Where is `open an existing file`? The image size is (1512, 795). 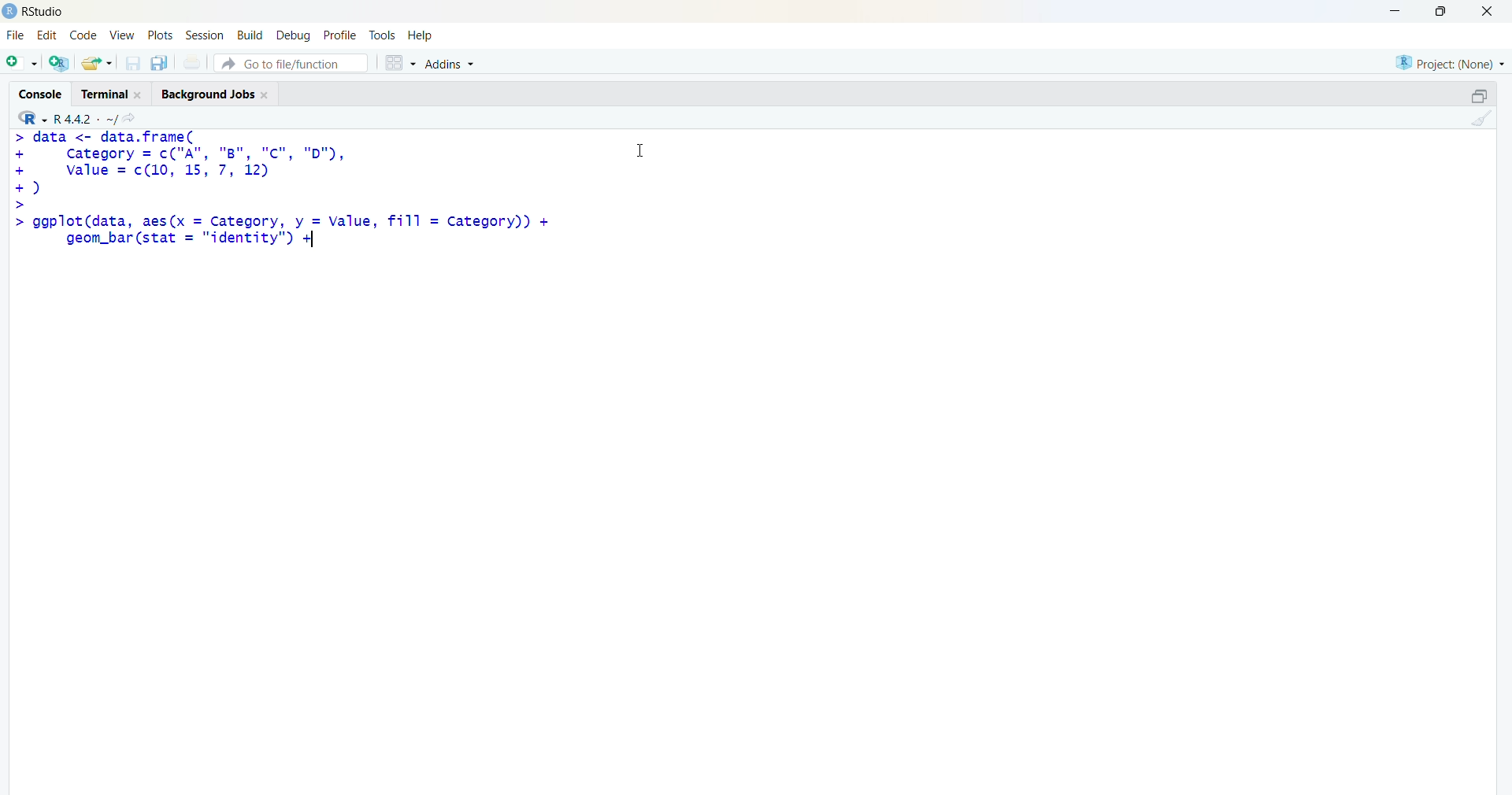 open an existing file is located at coordinates (96, 62).